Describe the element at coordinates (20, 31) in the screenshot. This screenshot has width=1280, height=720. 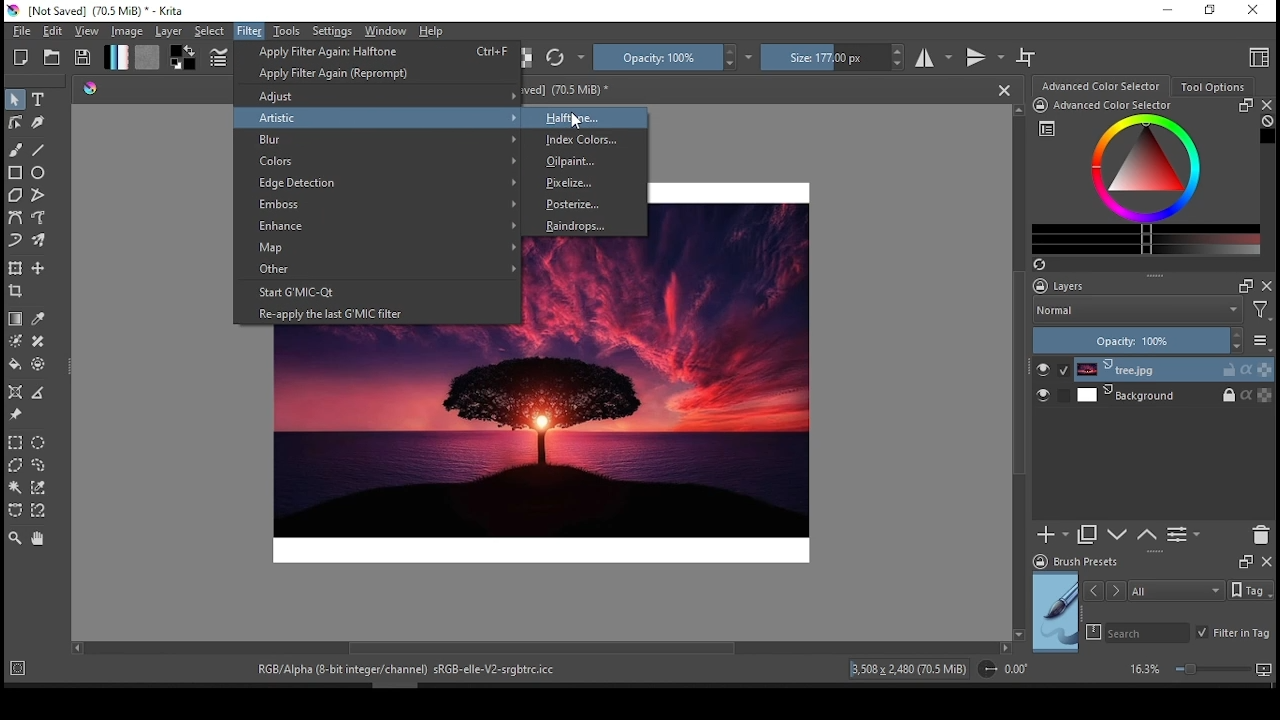
I see `file` at that location.